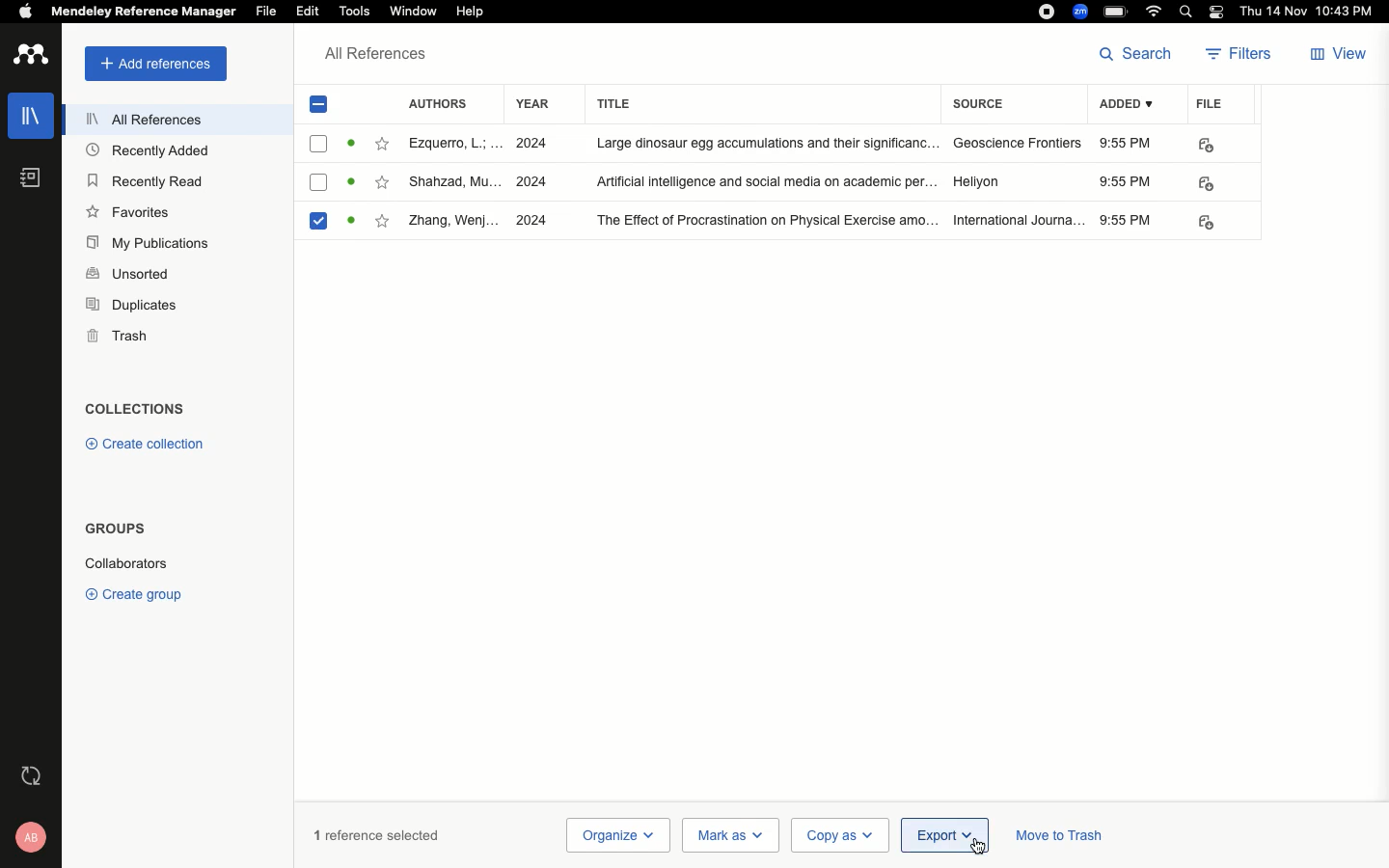 This screenshot has height=868, width=1389. What do you see at coordinates (33, 837) in the screenshot?
I see `Account and help` at bounding box center [33, 837].